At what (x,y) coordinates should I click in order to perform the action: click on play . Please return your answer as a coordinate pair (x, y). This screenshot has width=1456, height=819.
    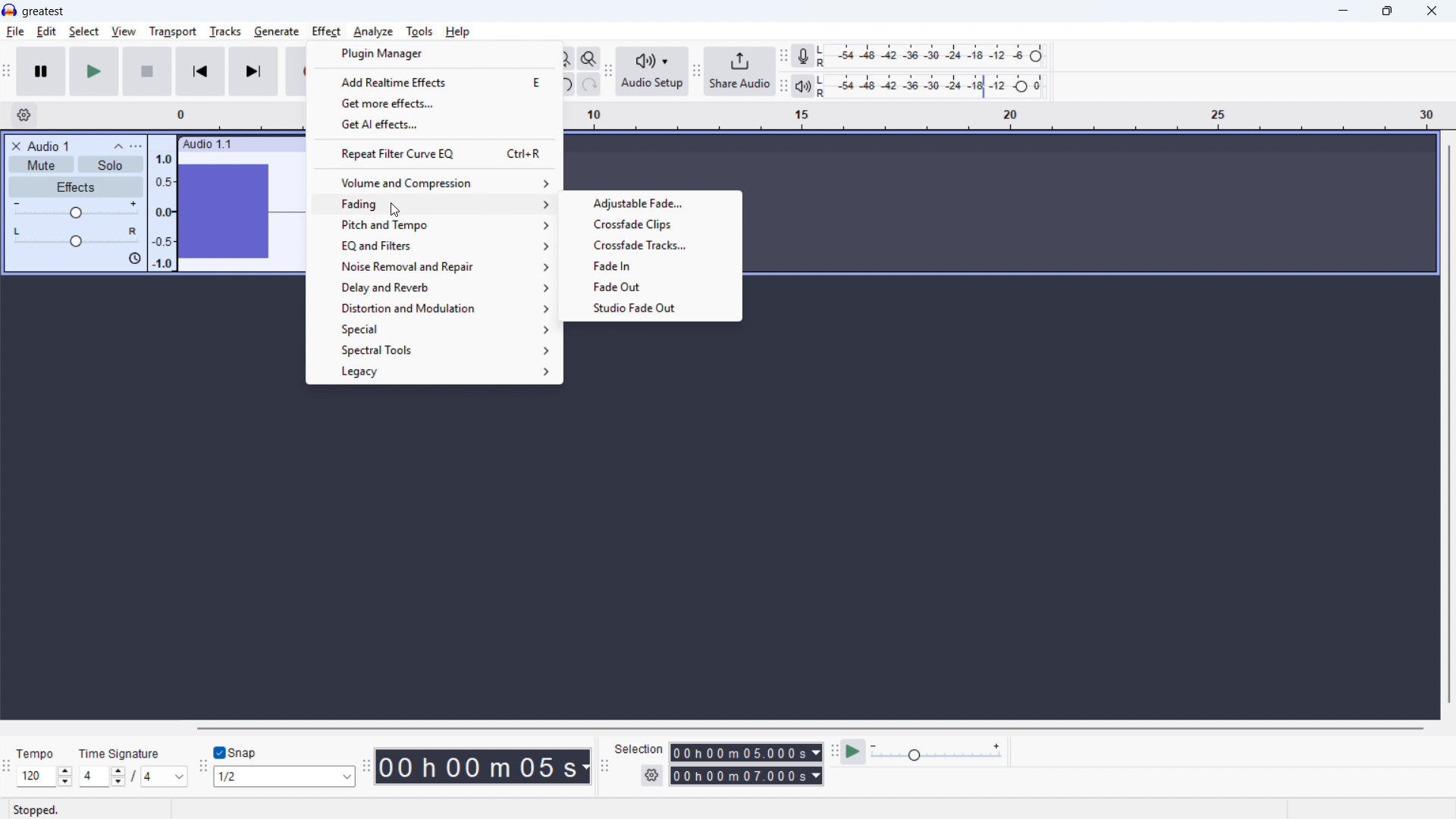
    Looking at the image, I should click on (94, 71).